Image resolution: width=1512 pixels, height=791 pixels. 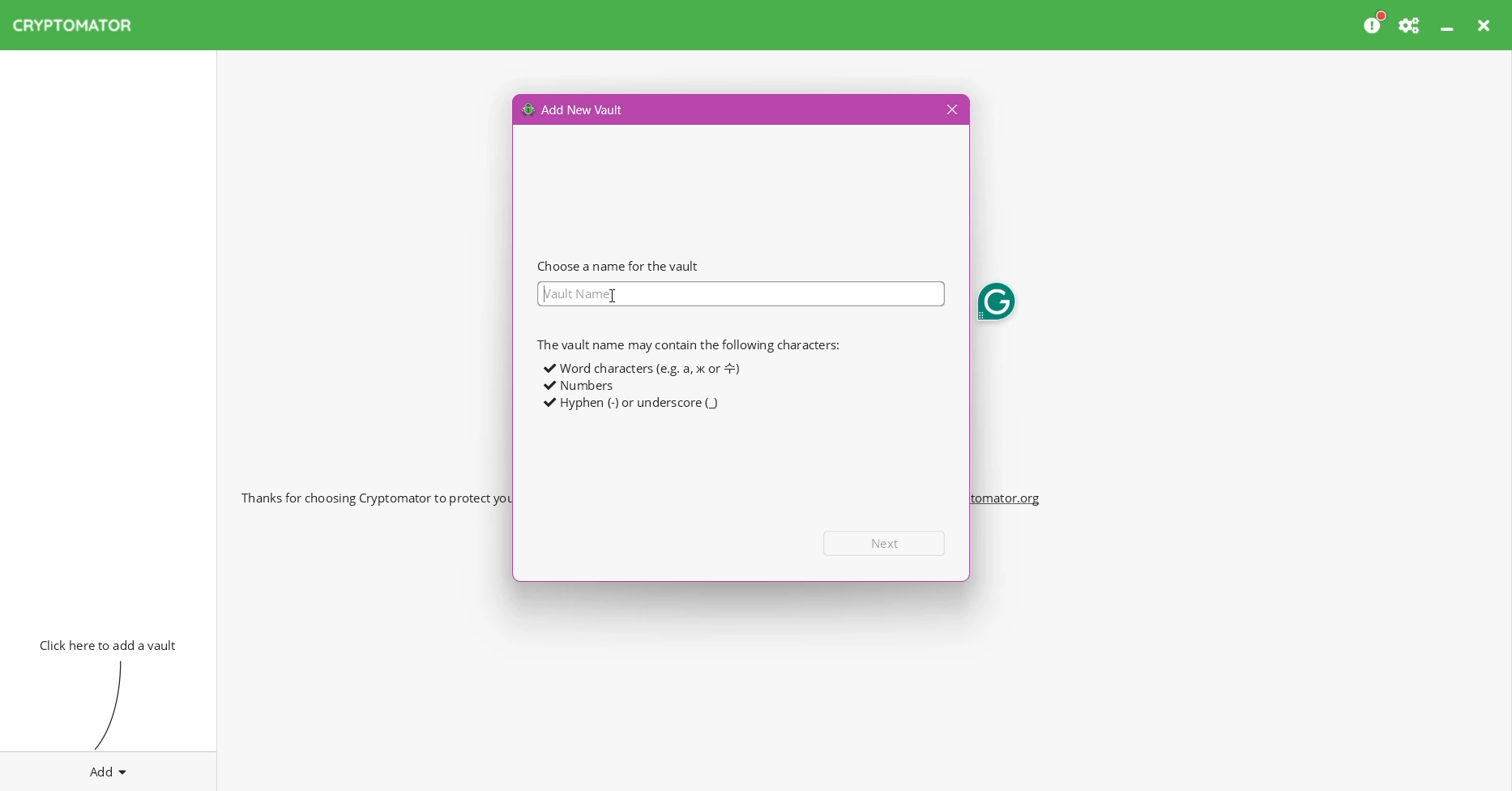 I want to click on Next, so click(x=885, y=543).